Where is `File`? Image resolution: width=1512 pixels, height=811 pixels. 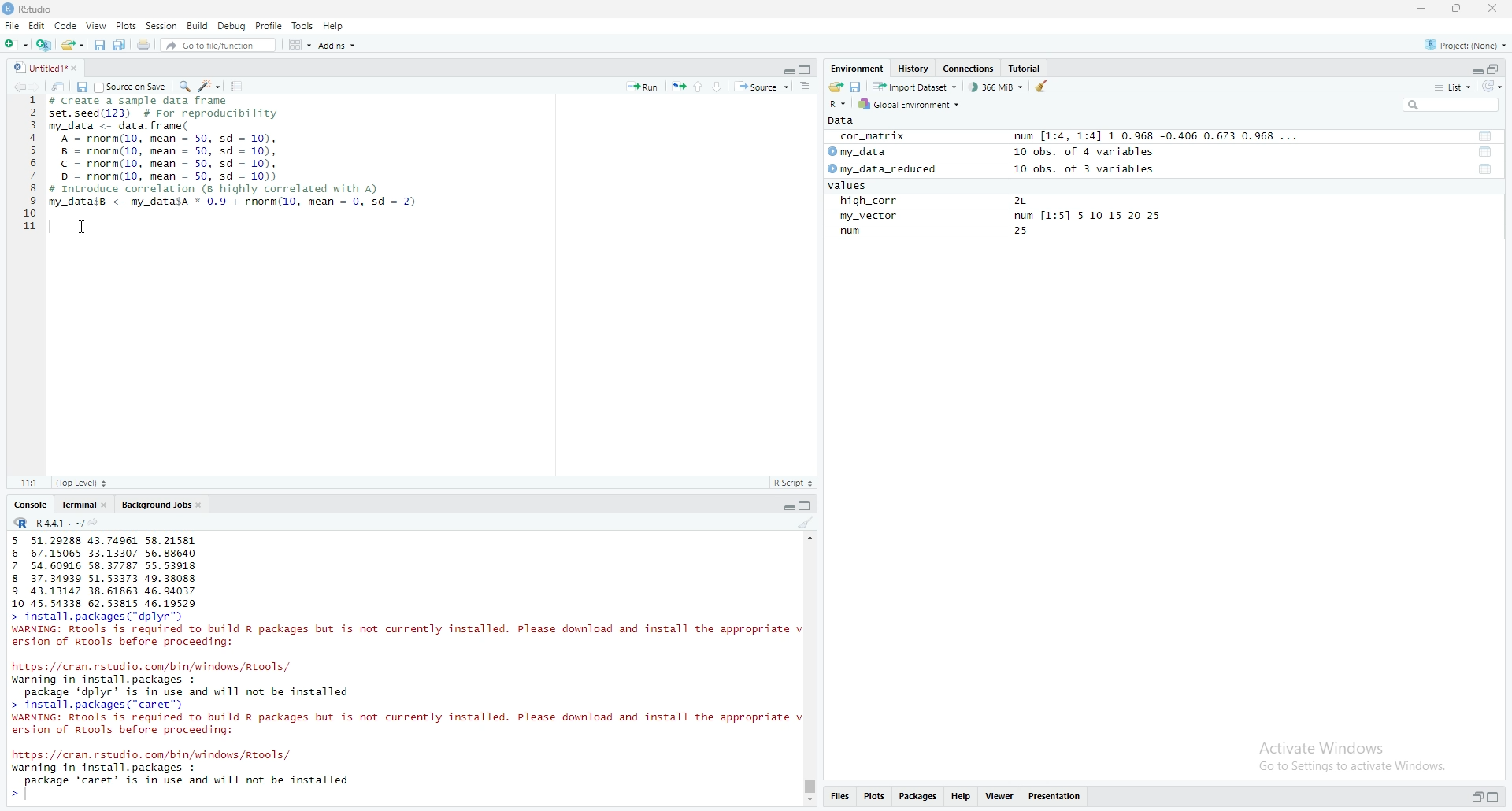 File is located at coordinates (13, 26).